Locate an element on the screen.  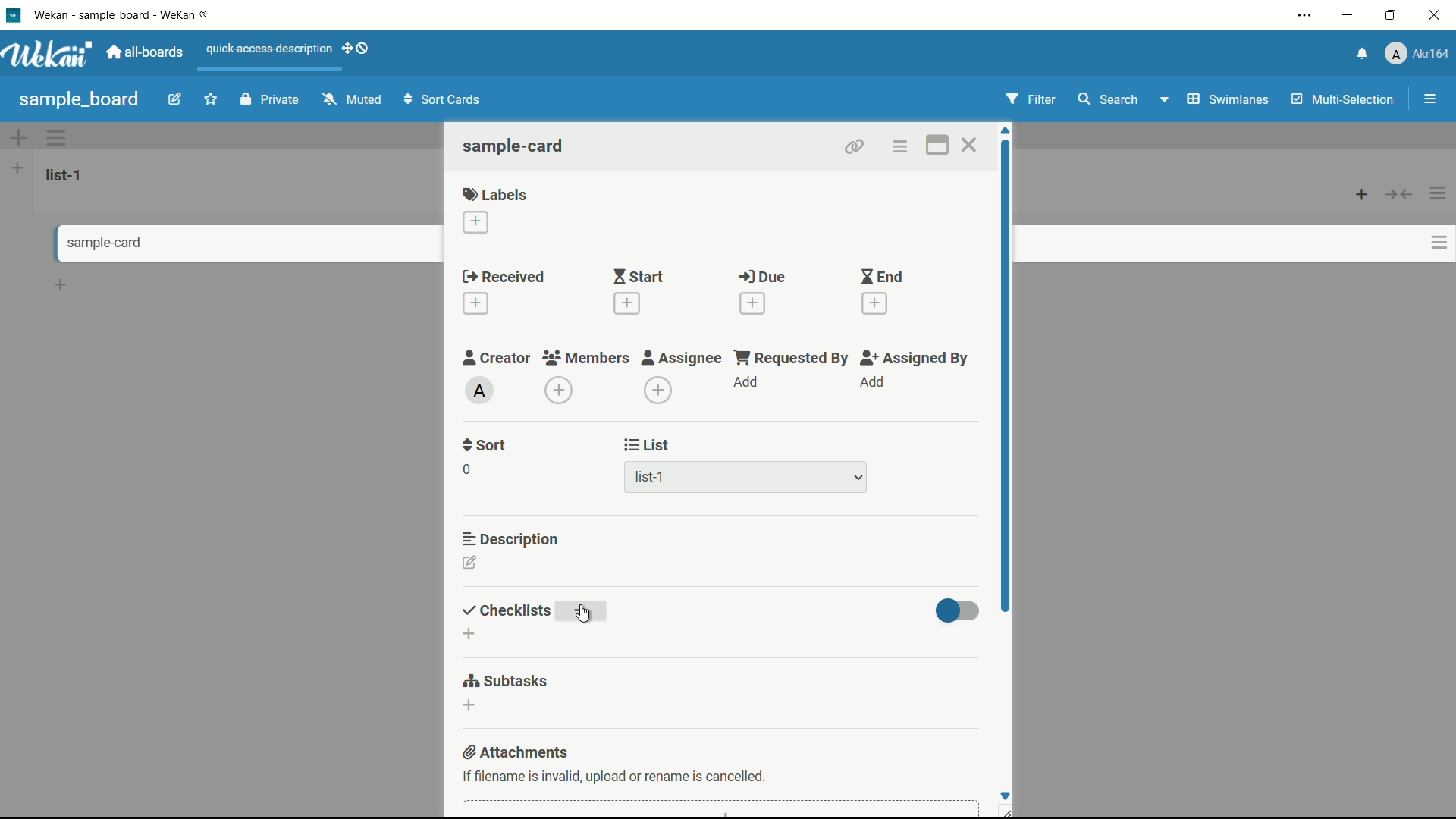
board name is located at coordinates (79, 99).